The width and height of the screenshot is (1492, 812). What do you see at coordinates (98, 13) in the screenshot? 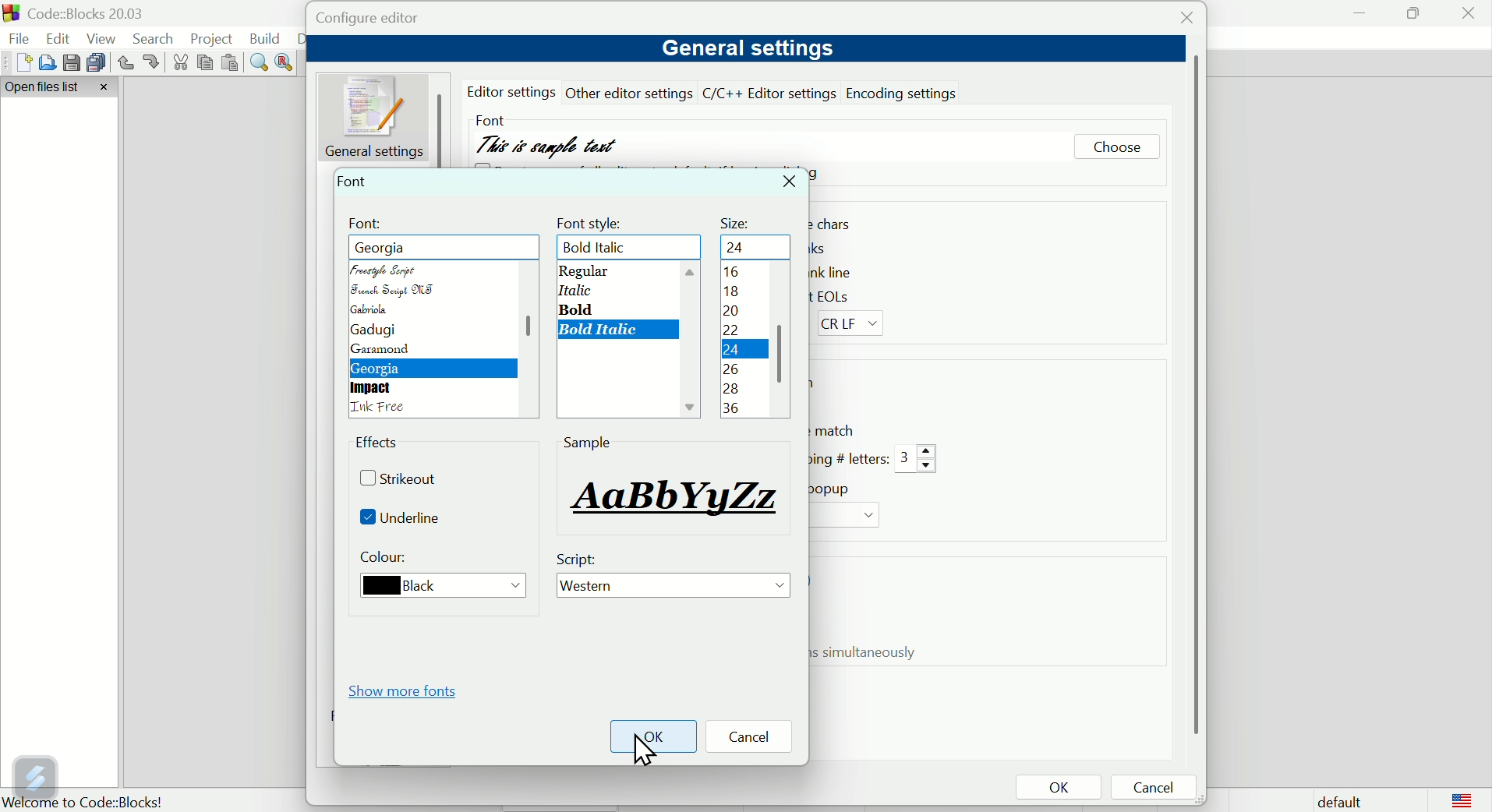
I see `Court blocks 2003` at bounding box center [98, 13].